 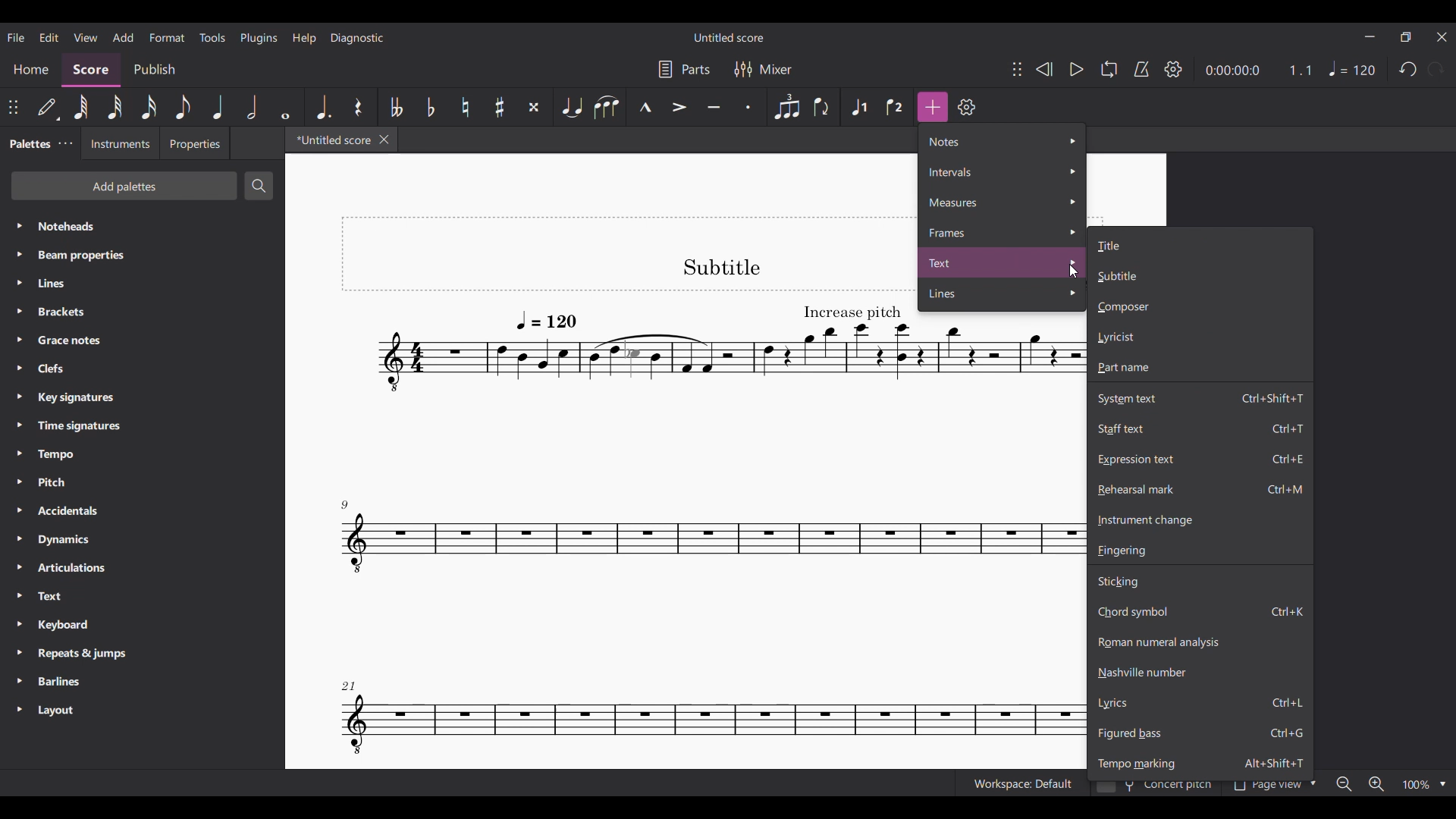 What do you see at coordinates (125, 186) in the screenshot?
I see `Add palettes` at bounding box center [125, 186].